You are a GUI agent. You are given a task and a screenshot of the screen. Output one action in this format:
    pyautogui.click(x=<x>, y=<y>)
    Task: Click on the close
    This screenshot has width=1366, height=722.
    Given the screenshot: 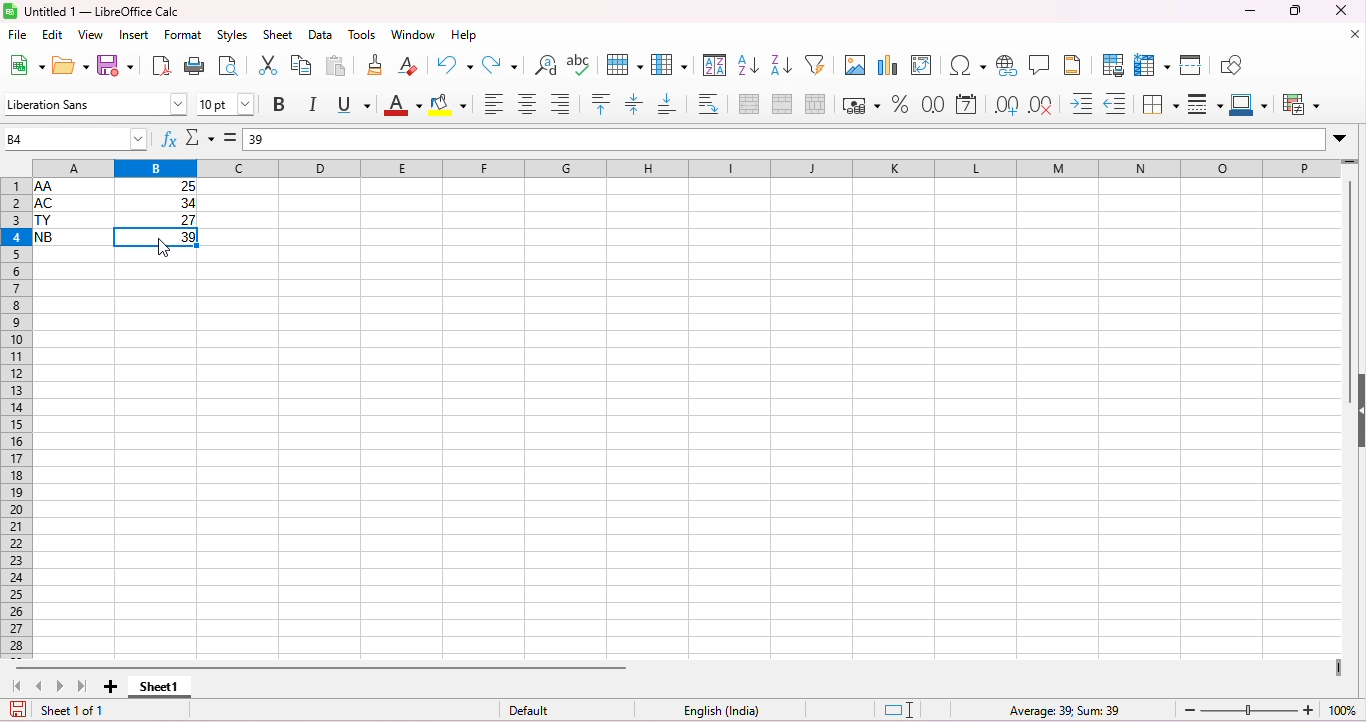 What is the action you would take?
    pyautogui.click(x=1354, y=35)
    